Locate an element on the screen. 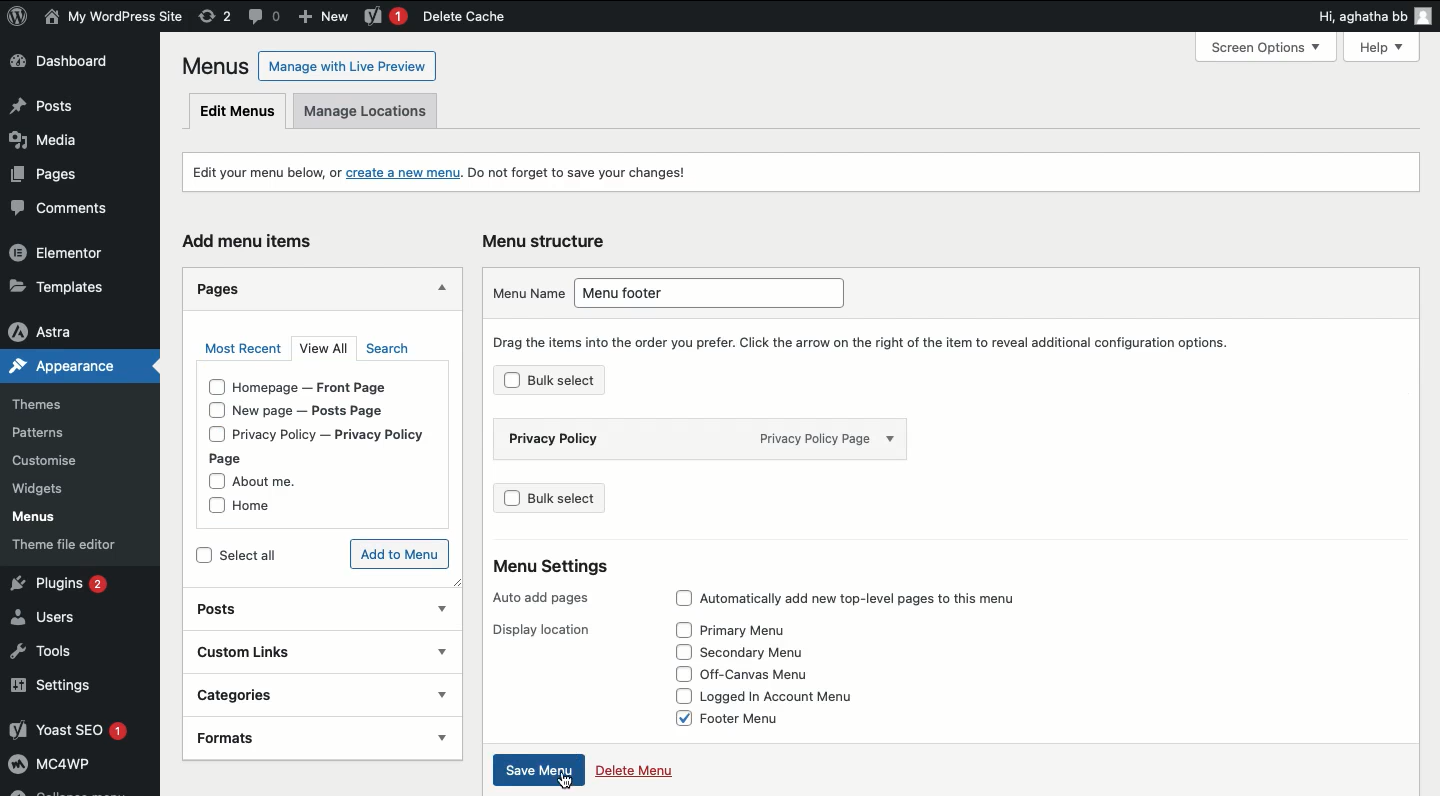  Search is located at coordinates (386, 349).